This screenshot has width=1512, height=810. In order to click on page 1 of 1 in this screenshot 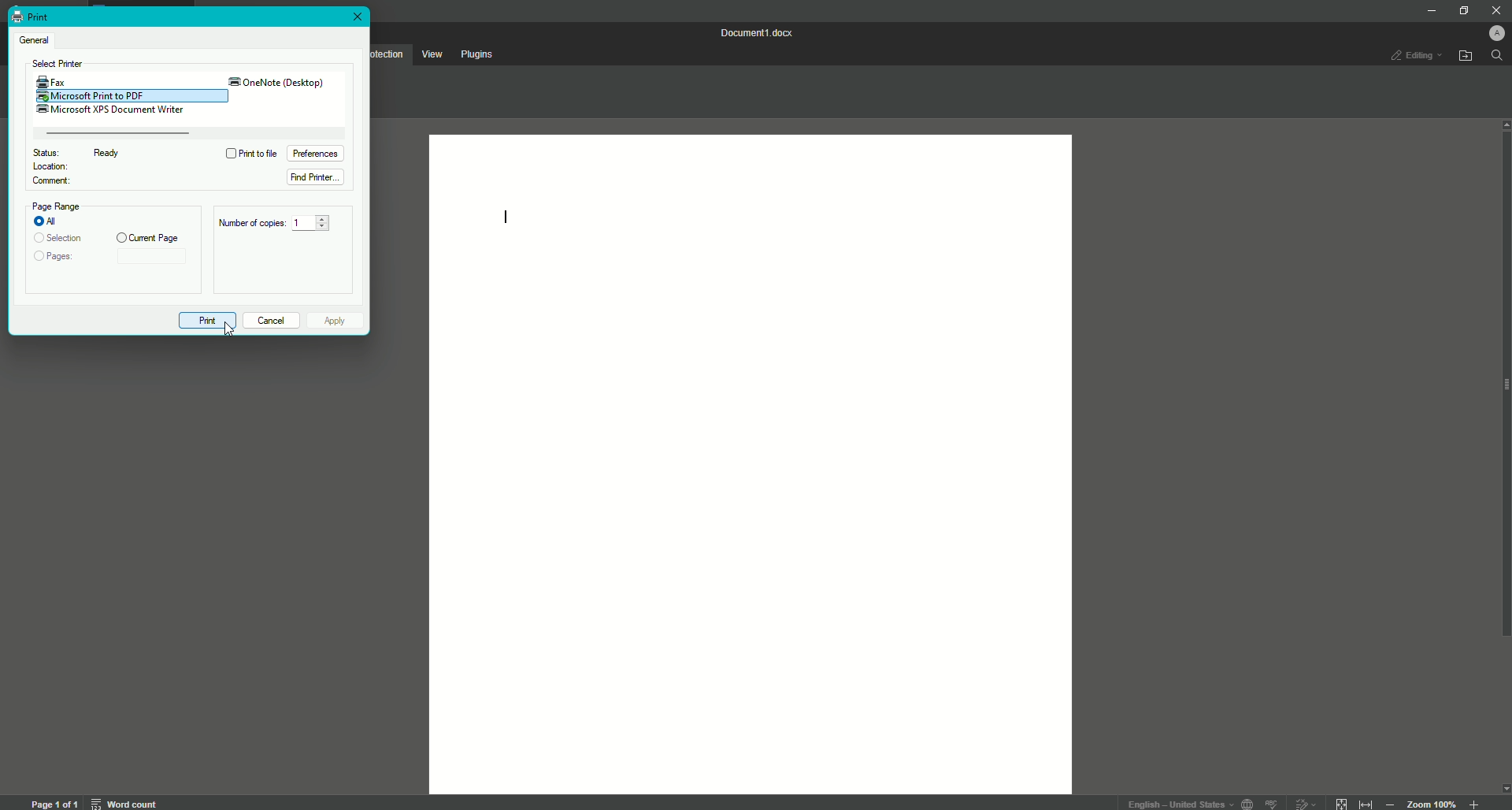, I will do `click(54, 803)`.